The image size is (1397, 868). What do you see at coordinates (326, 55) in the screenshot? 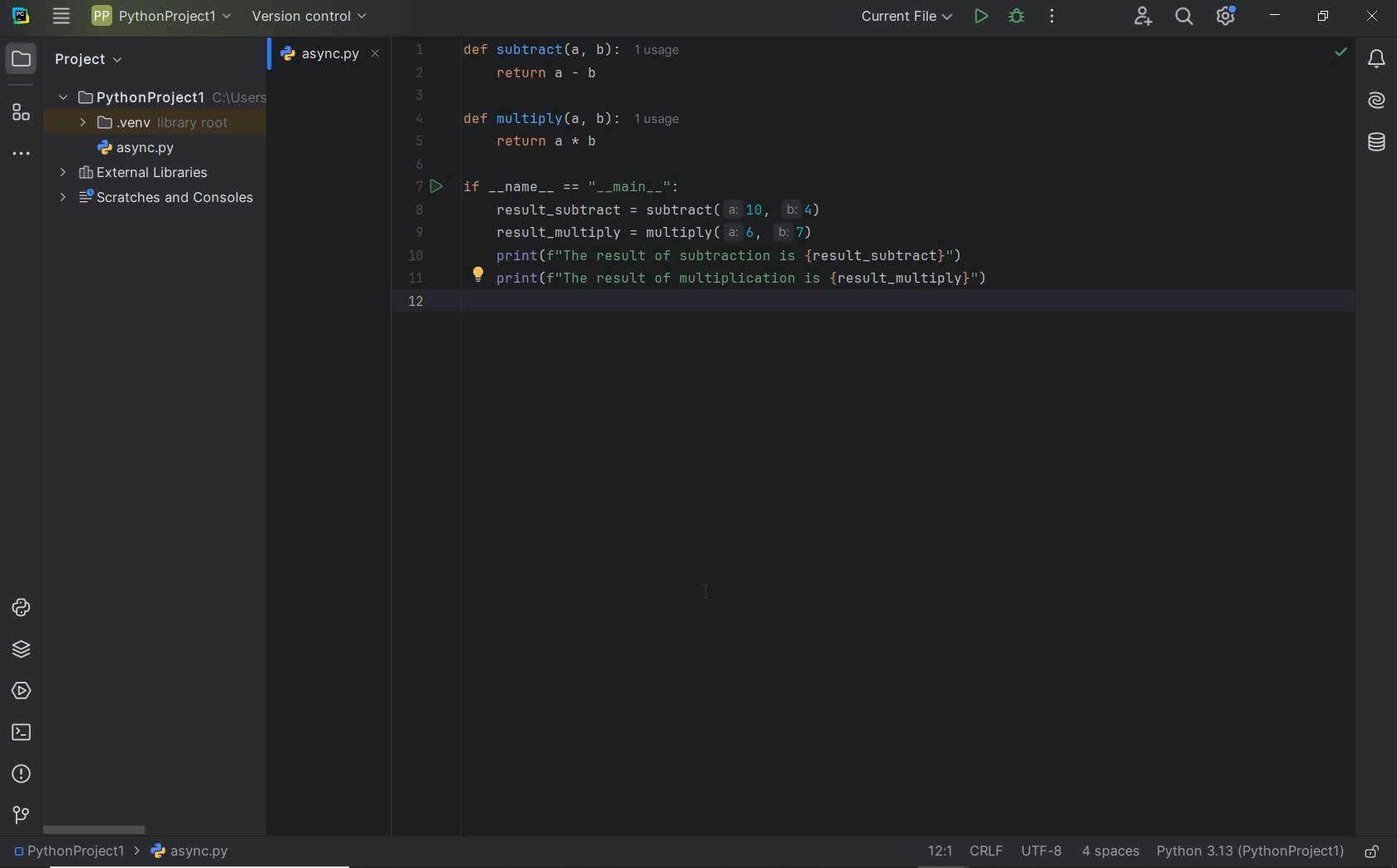
I see `file name` at bounding box center [326, 55].